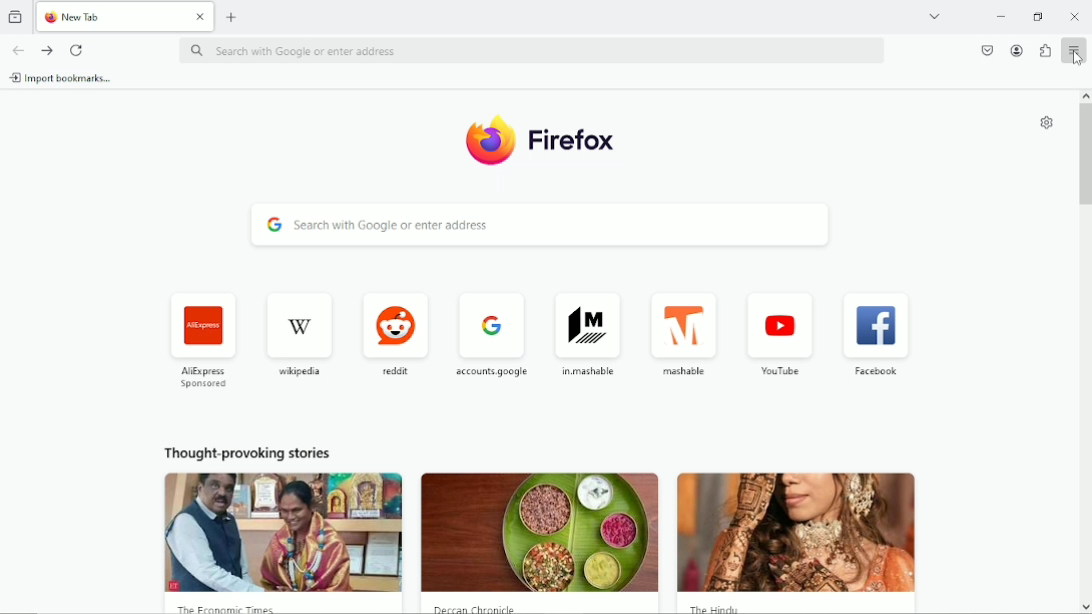  Describe the element at coordinates (112, 16) in the screenshot. I see `new tab` at that location.